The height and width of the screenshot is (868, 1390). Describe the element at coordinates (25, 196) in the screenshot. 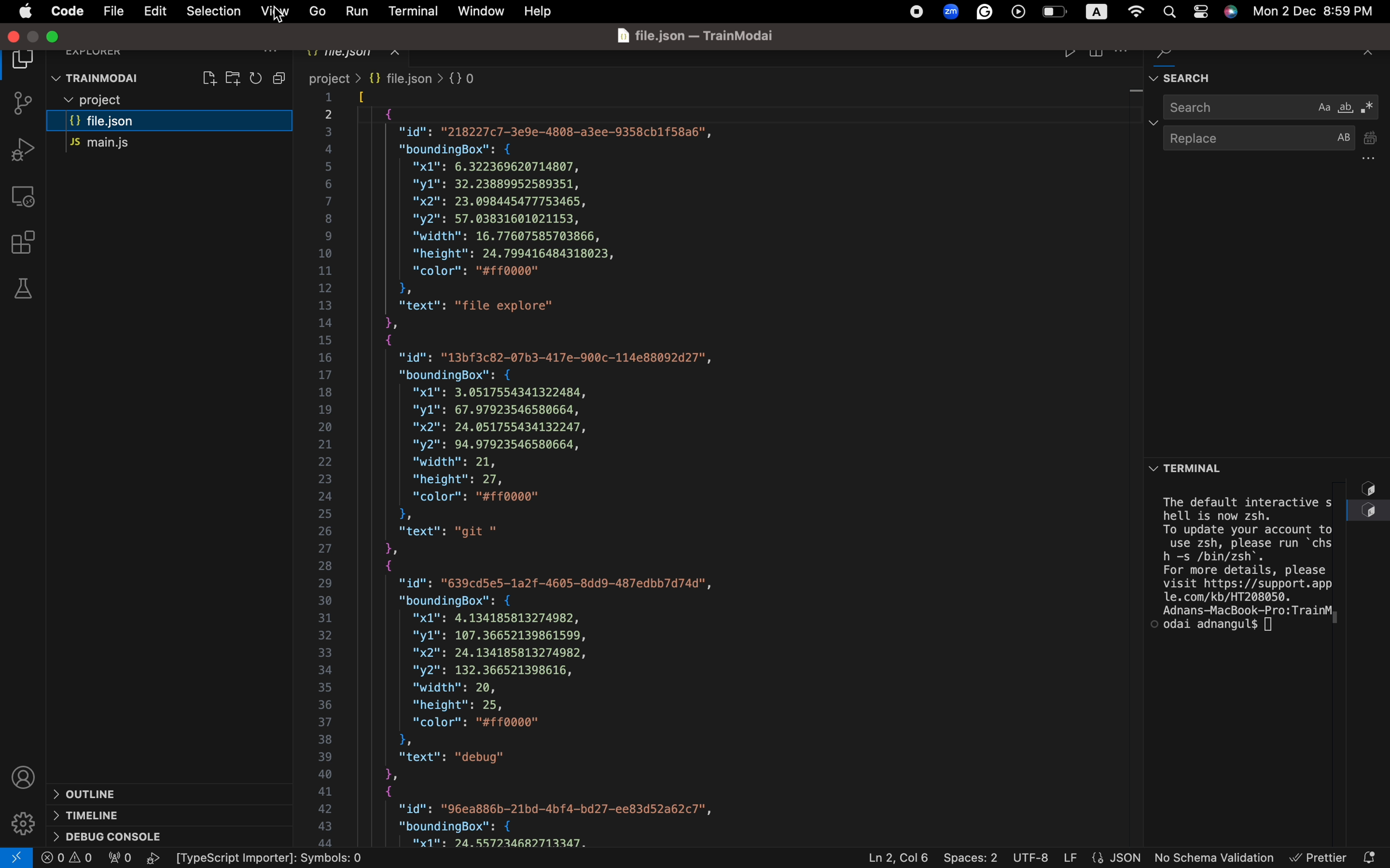

I see `remote explorer ` at that location.